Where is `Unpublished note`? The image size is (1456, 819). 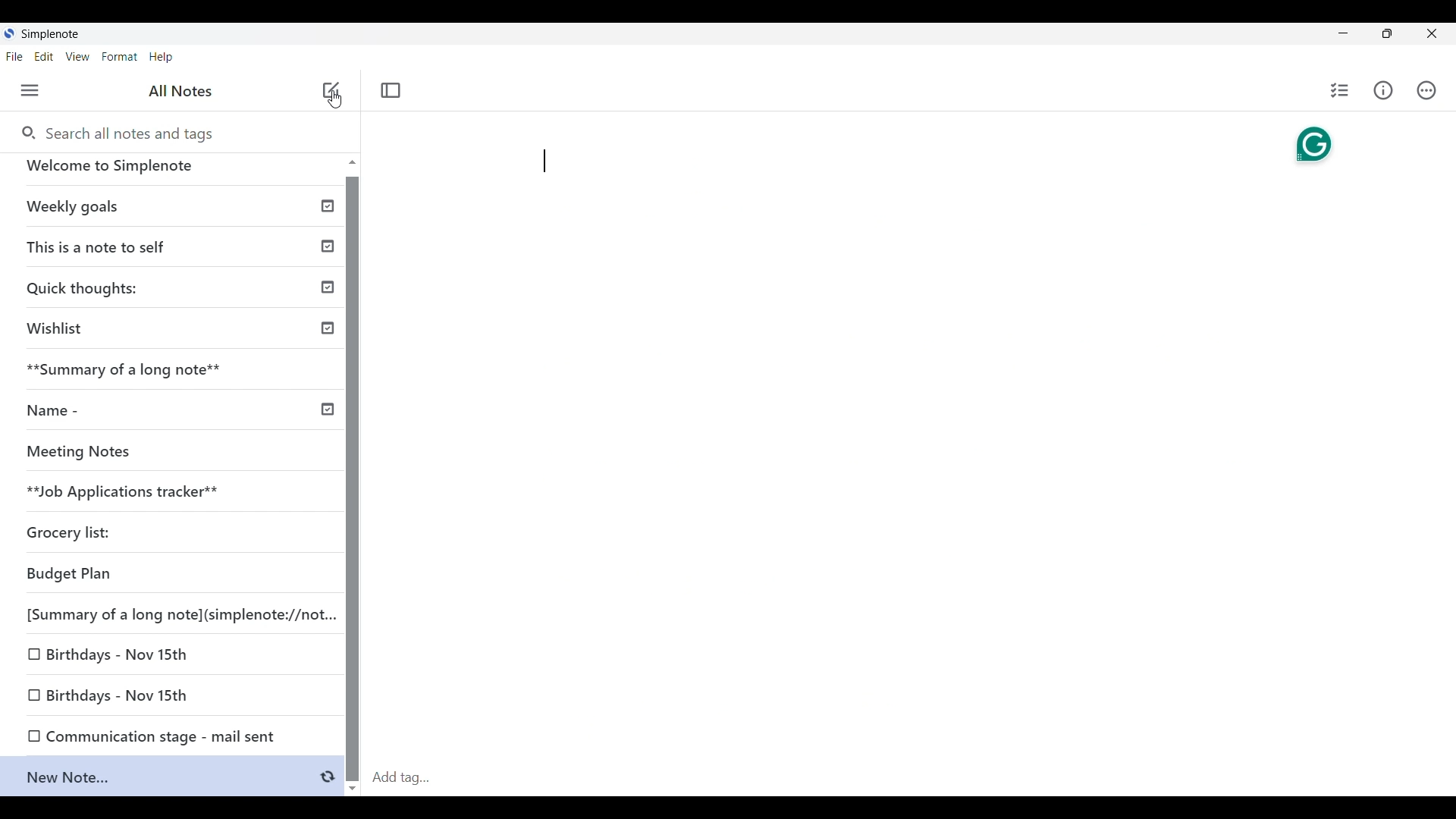
Unpublished note is located at coordinates (121, 657).